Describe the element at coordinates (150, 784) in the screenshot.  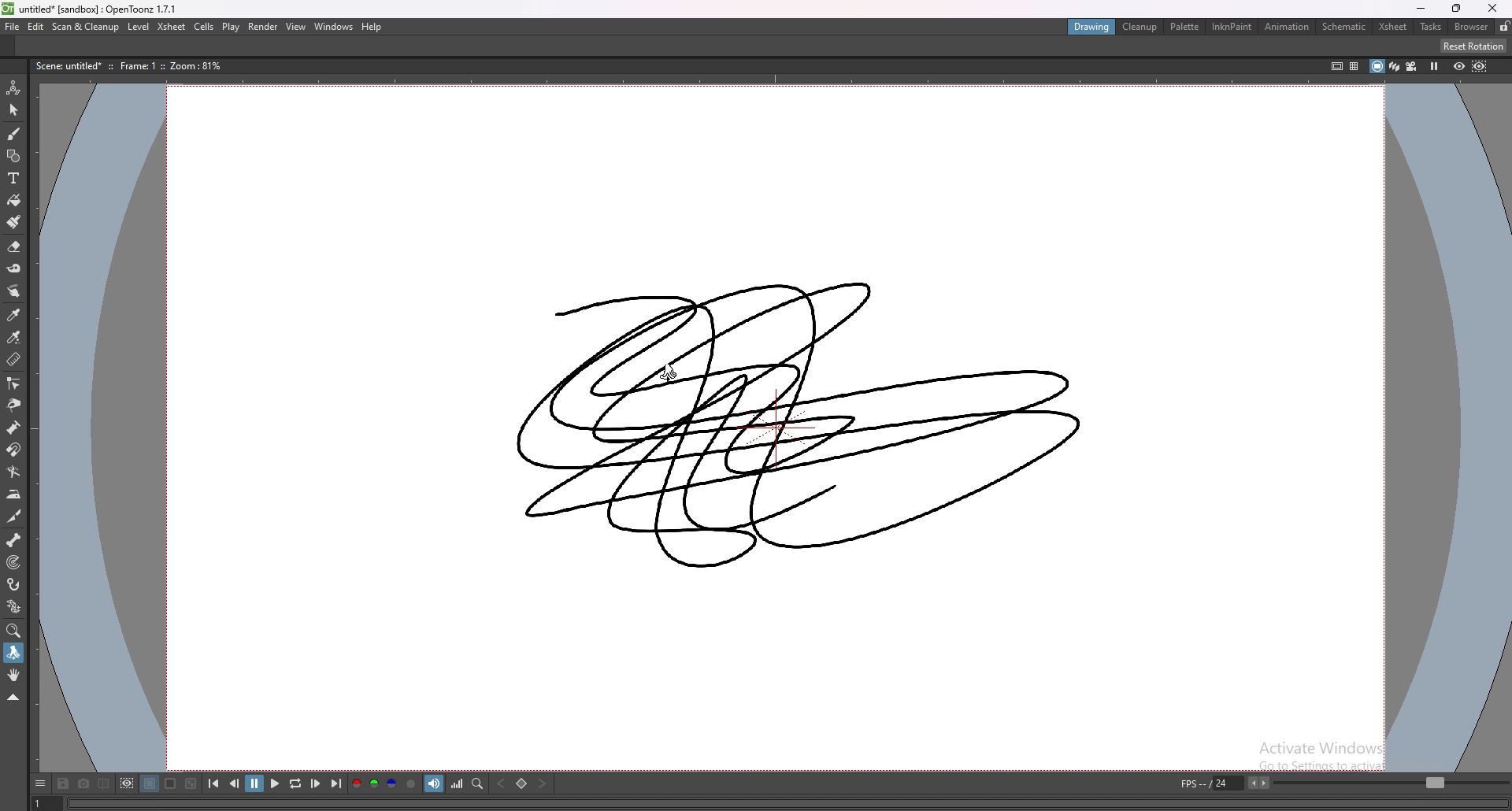
I see `black background` at that location.